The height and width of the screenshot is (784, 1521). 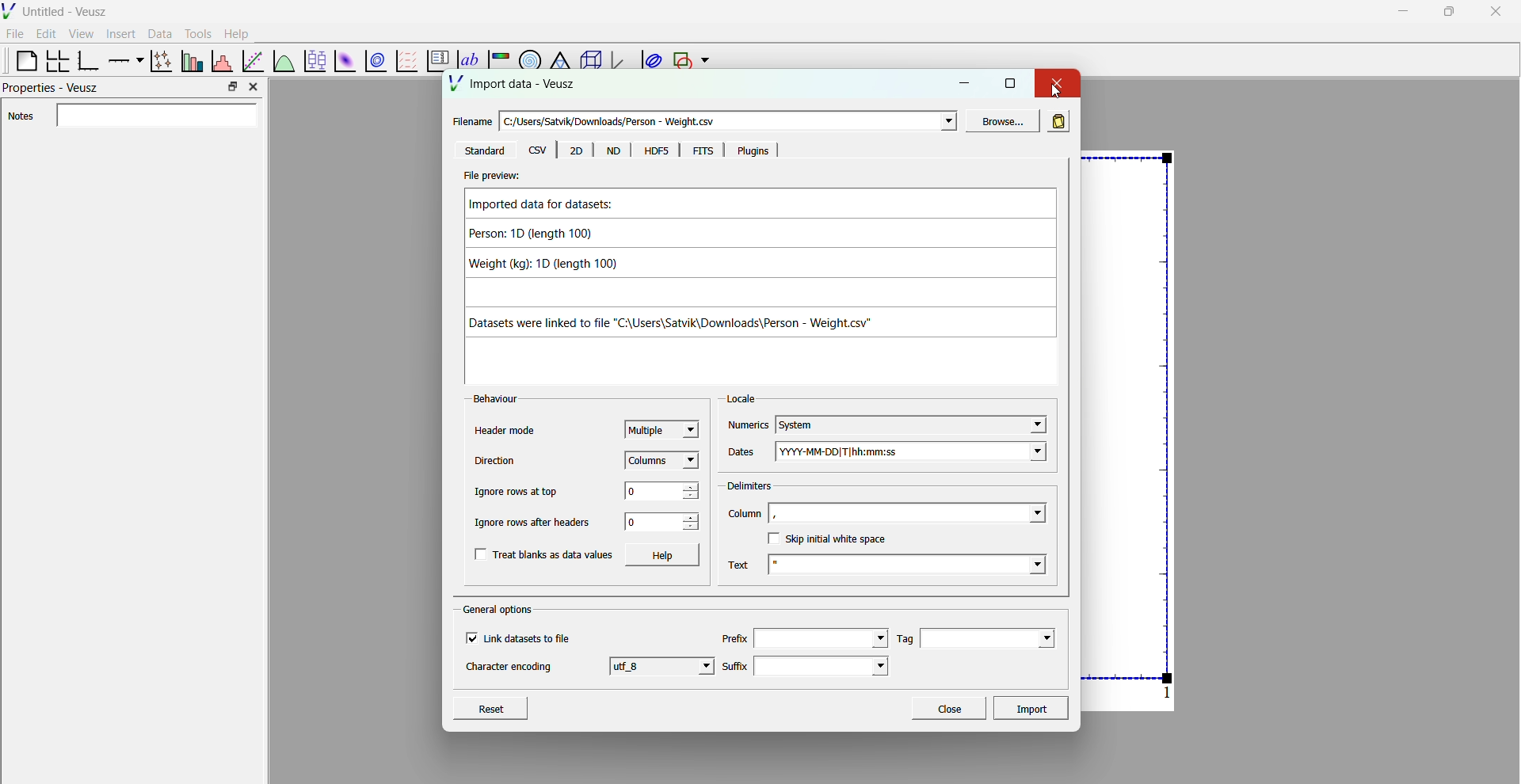 I want to click on Header mode, so click(x=505, y=431).